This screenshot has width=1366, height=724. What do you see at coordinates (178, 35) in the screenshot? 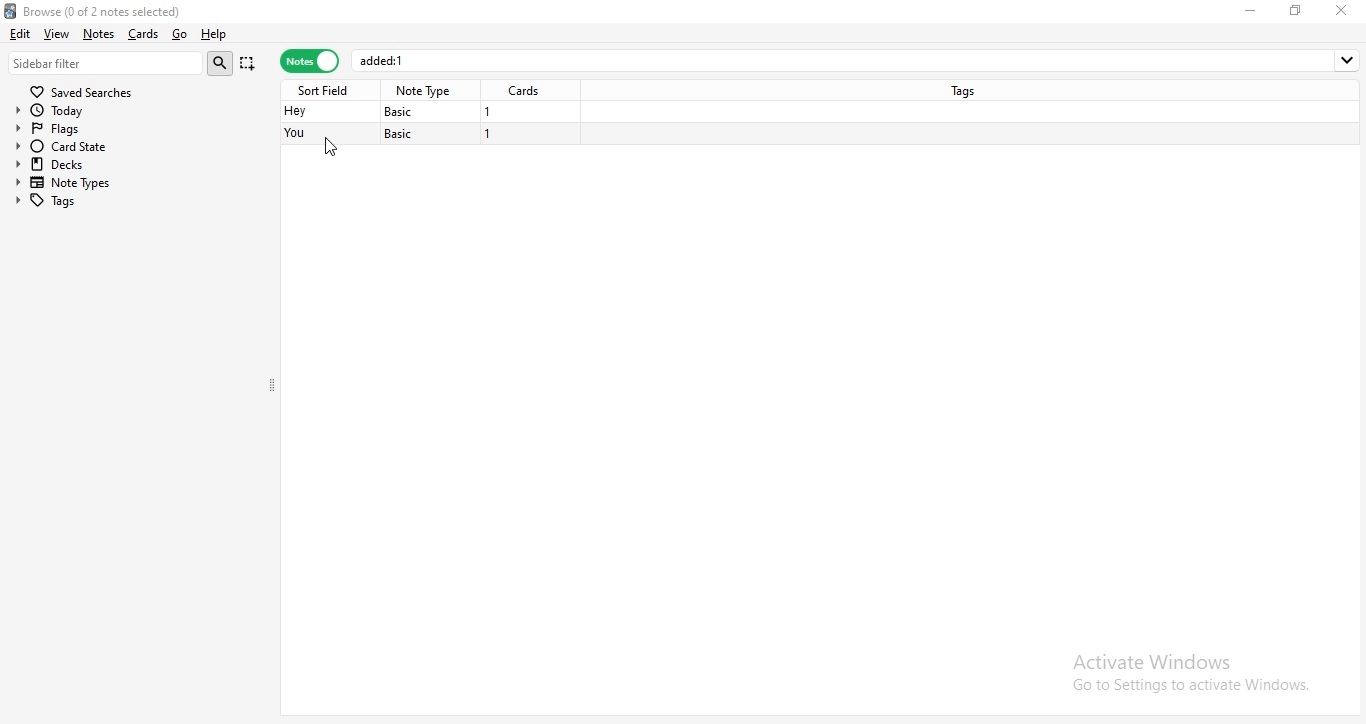
I see `go` at bounding box center [178, 35].